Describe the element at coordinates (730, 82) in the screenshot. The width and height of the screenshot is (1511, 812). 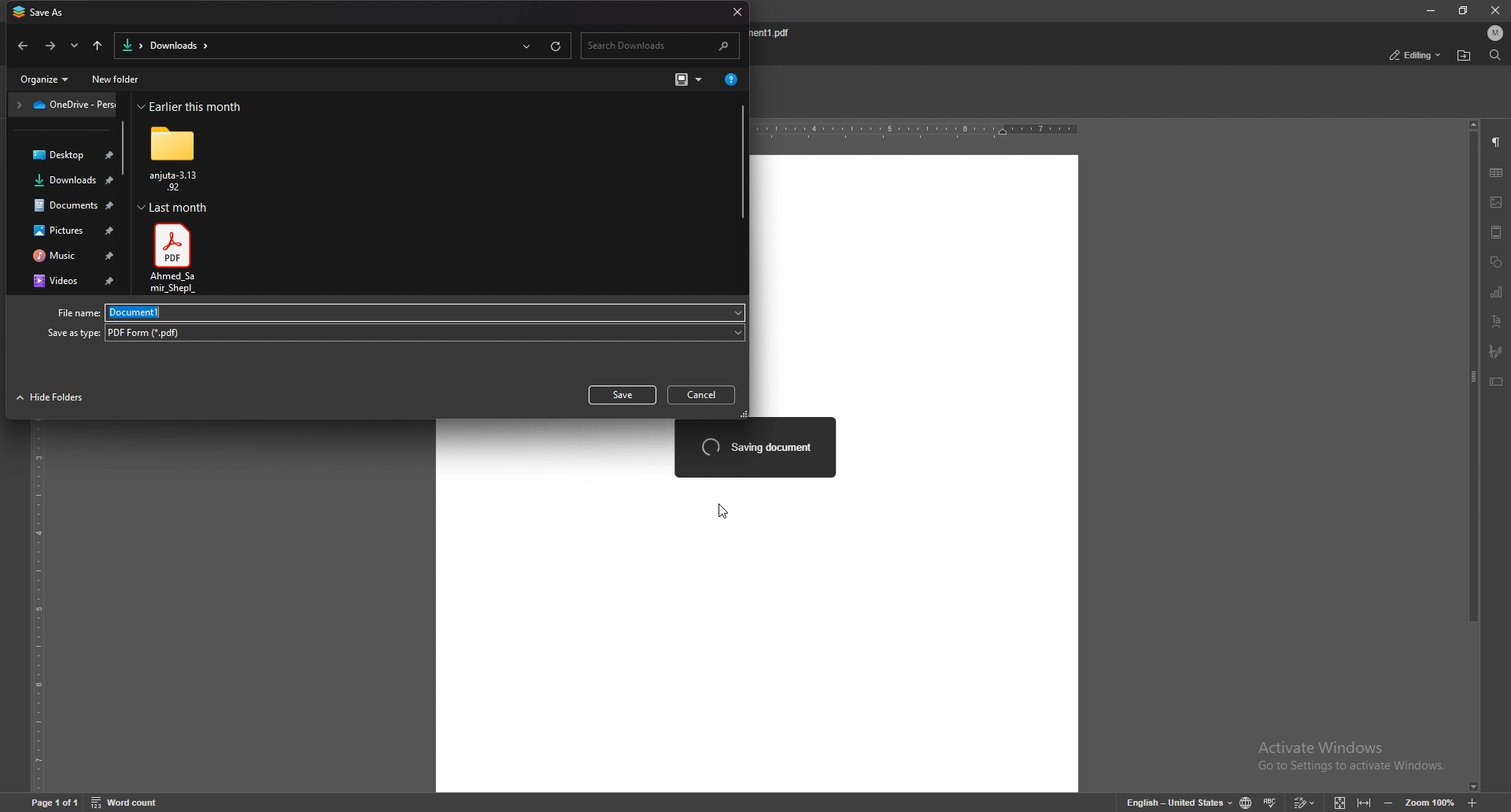
I see `help` at that location.